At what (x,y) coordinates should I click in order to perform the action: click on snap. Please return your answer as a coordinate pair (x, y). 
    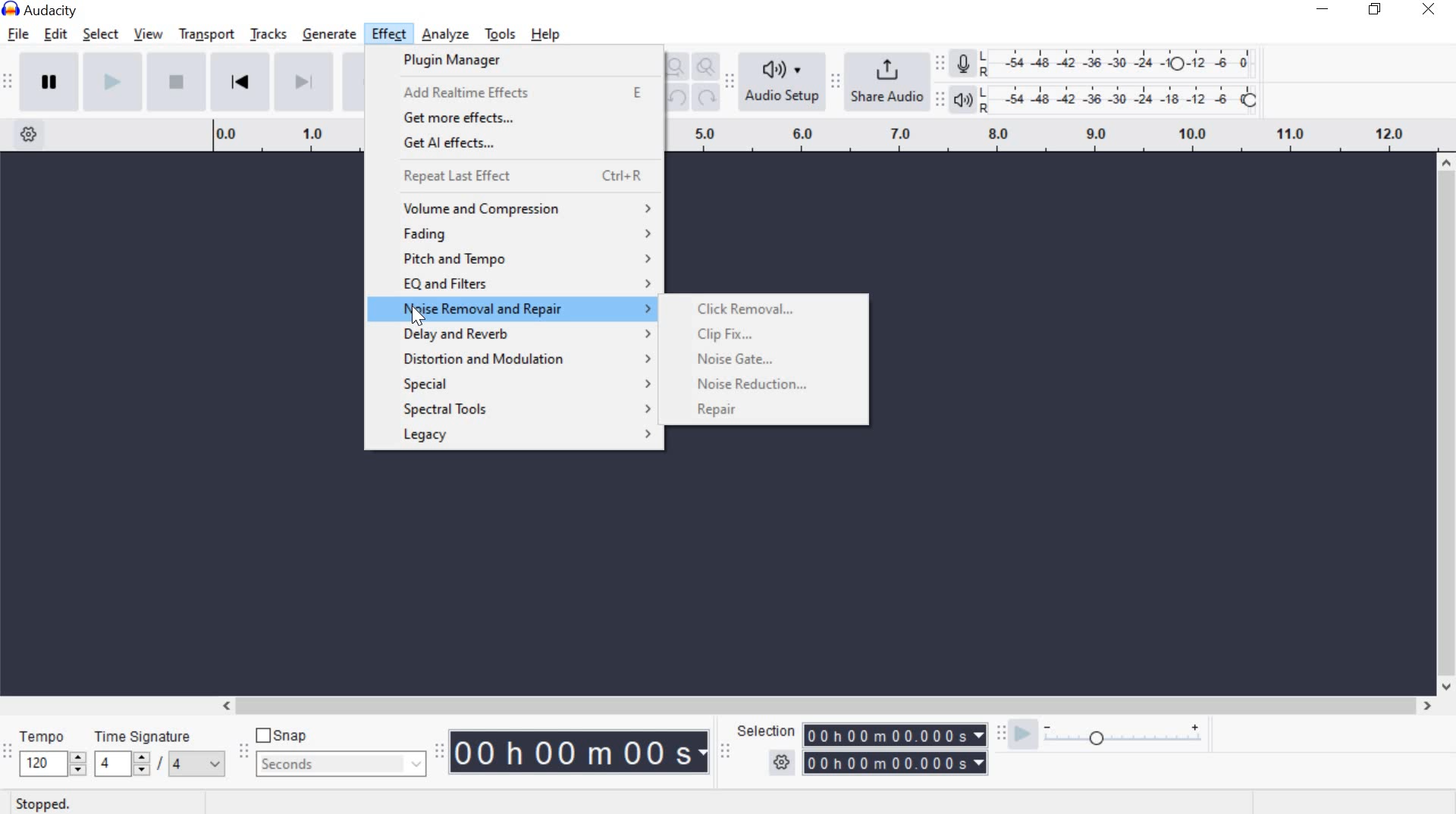
    Looking at the image, I should click on (285, 734).